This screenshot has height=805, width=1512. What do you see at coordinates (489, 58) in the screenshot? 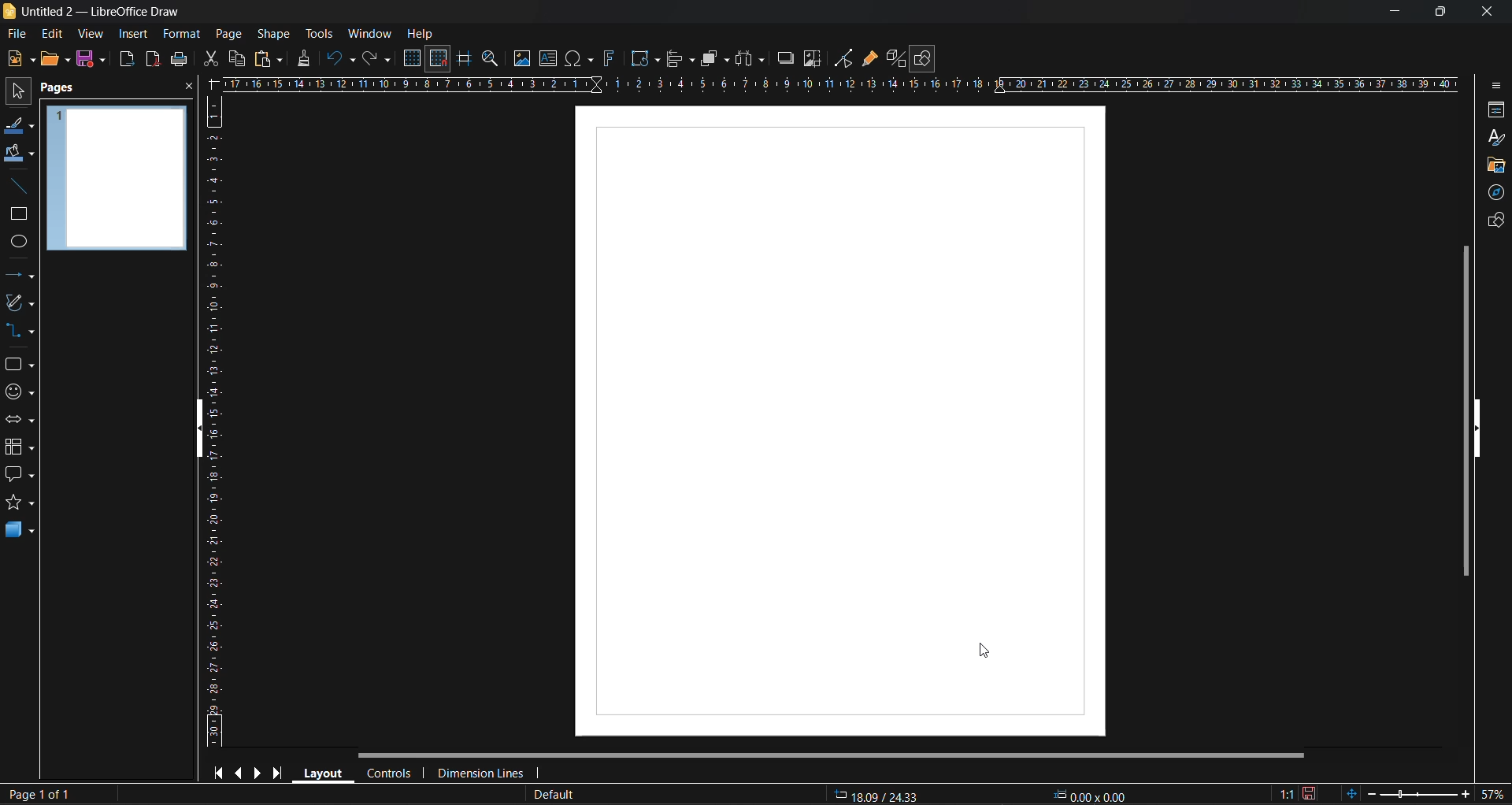
I see `zoom and pan` at bounding box center [489, 58].